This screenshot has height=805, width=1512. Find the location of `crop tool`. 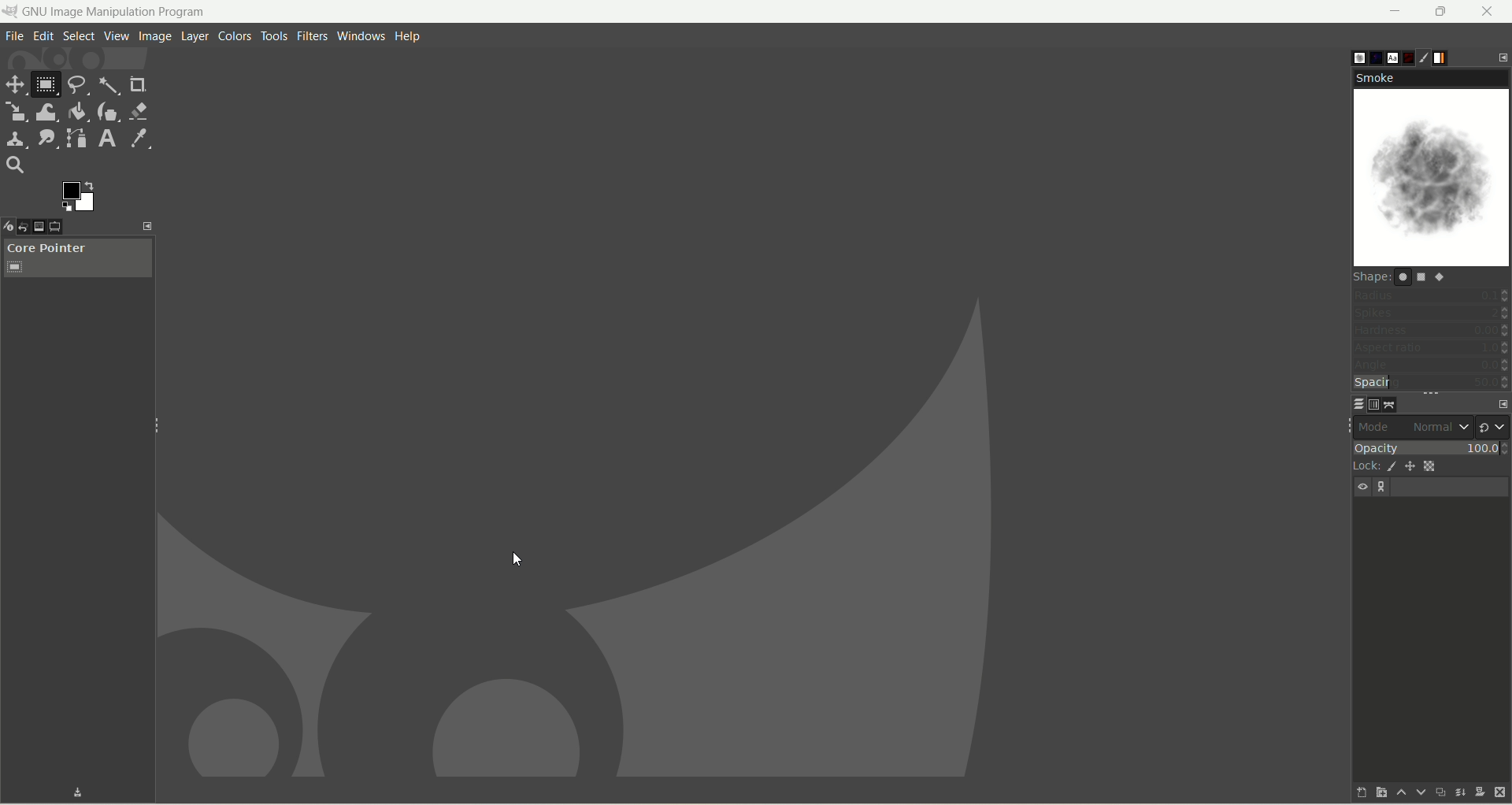

crop tool is located at coordinates (136, 83).